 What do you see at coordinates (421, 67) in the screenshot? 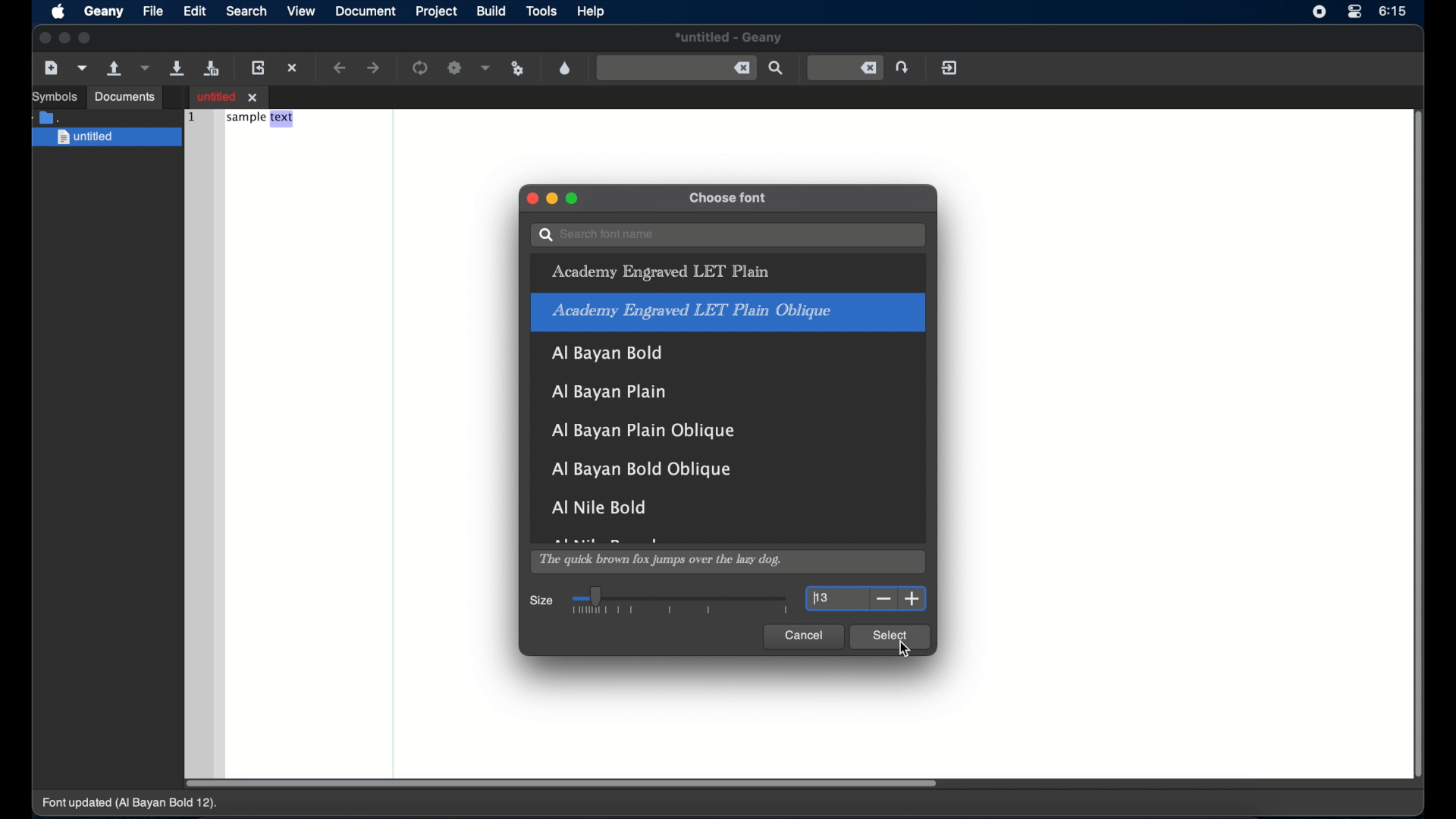
I see `compile the current file` at bounding box center [421, 67].